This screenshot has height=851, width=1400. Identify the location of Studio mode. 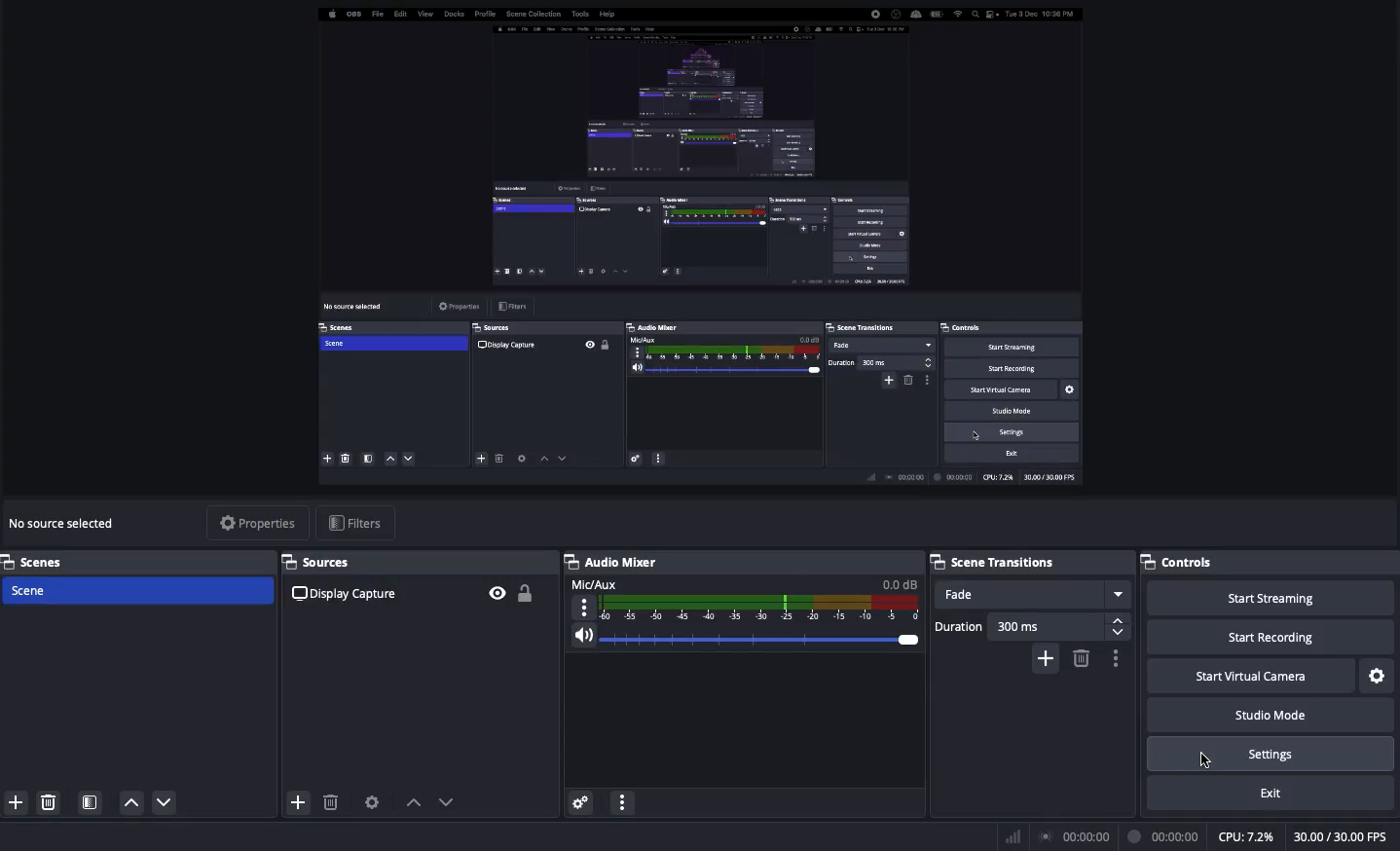
(1275, 716).